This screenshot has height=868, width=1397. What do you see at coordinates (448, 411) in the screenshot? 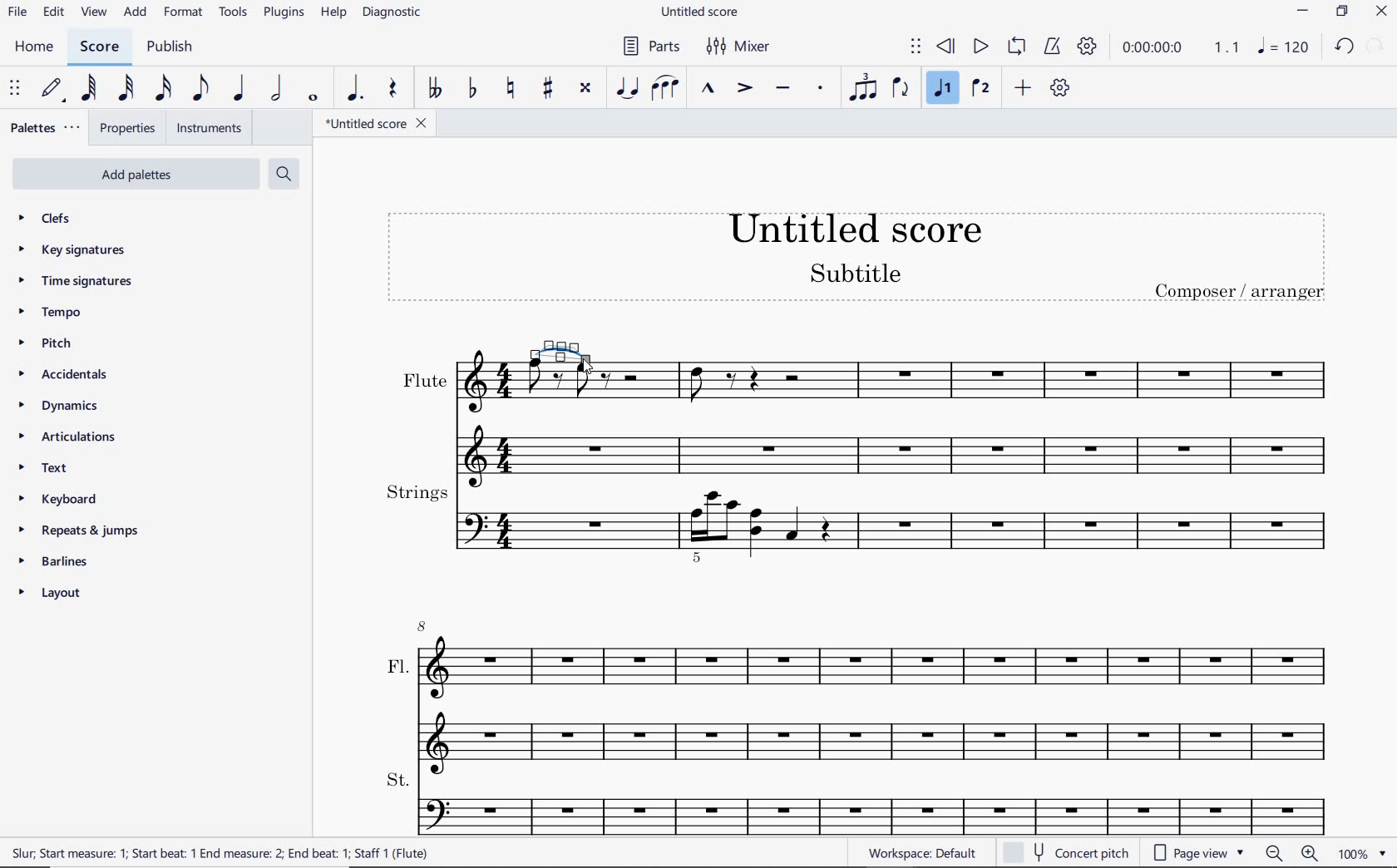
I see `` at bounding box center [448, 411].